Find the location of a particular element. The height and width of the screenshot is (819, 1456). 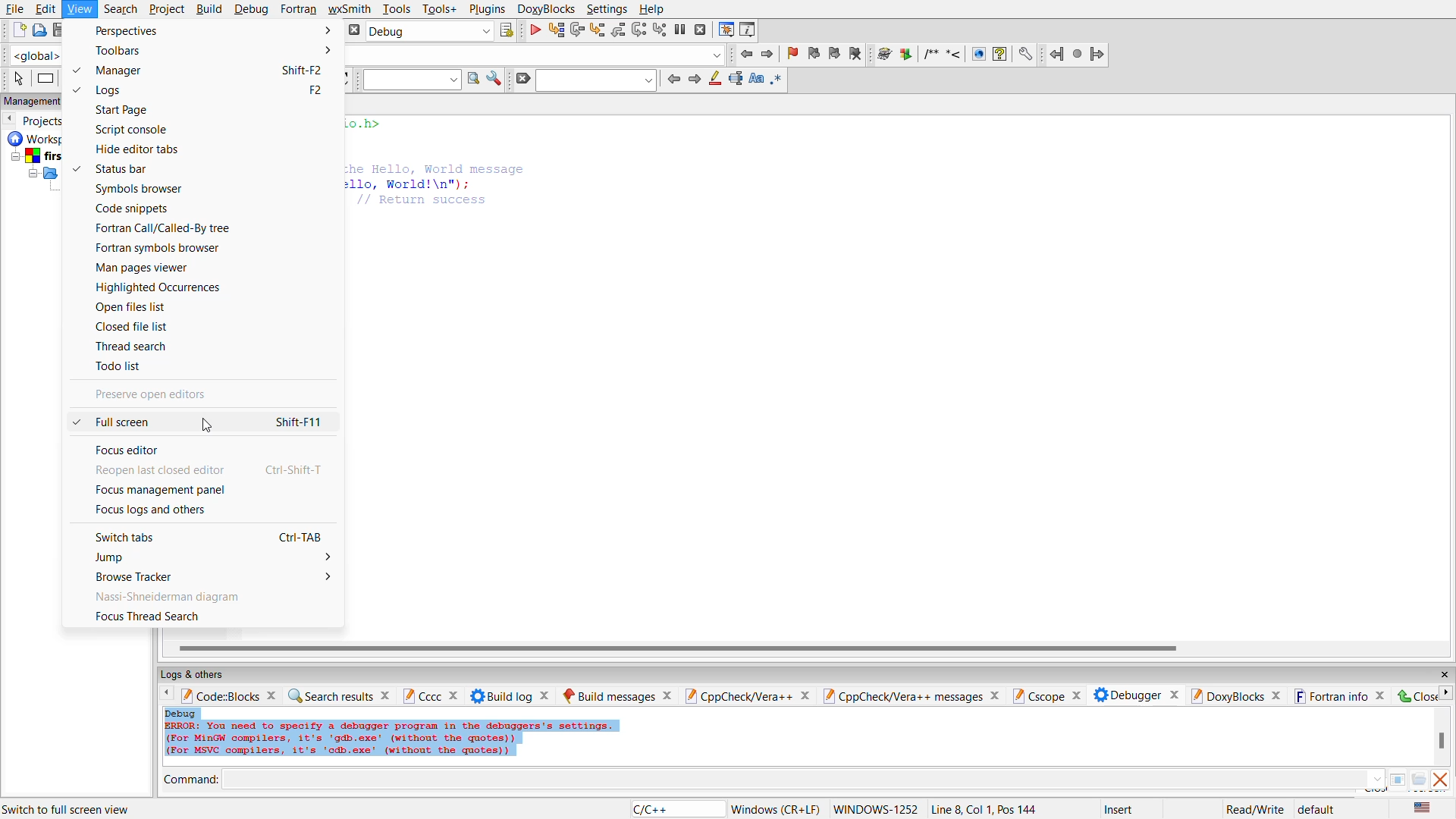

run search is located at coordinates (472, 80).